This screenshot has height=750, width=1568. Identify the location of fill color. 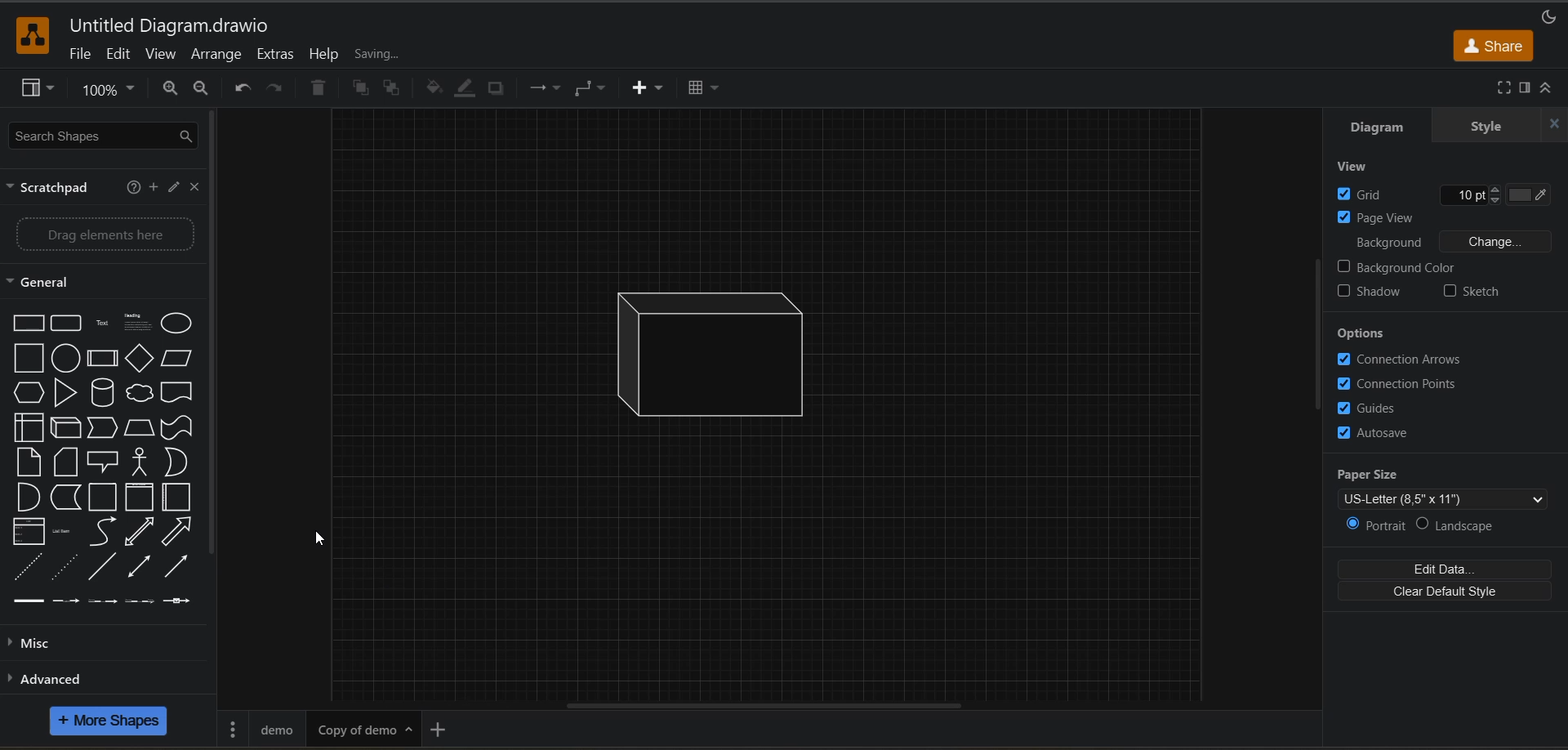
(437, 89).